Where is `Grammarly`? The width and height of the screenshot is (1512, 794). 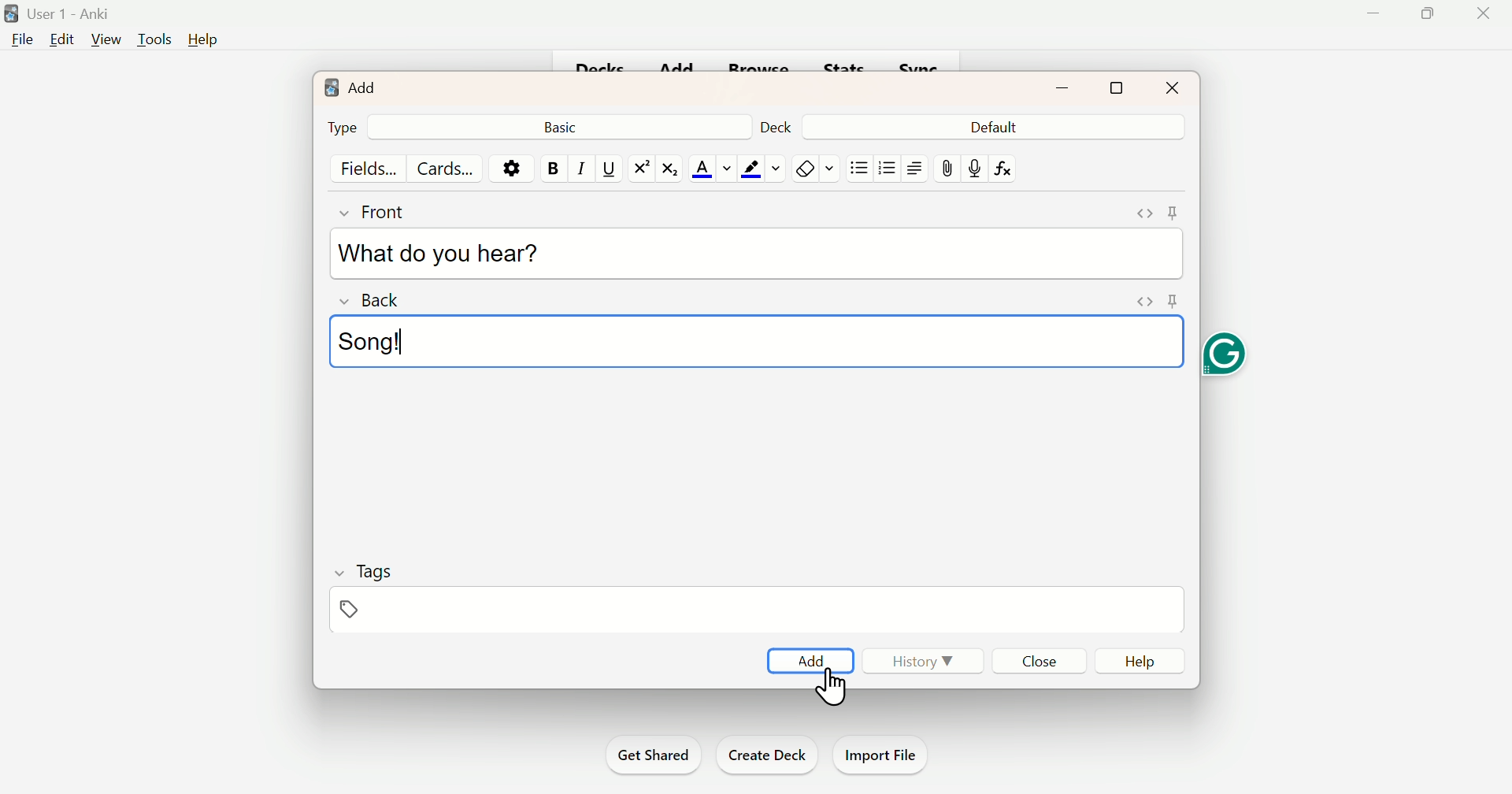
Grammarly is located at coordinates (1228, 356).